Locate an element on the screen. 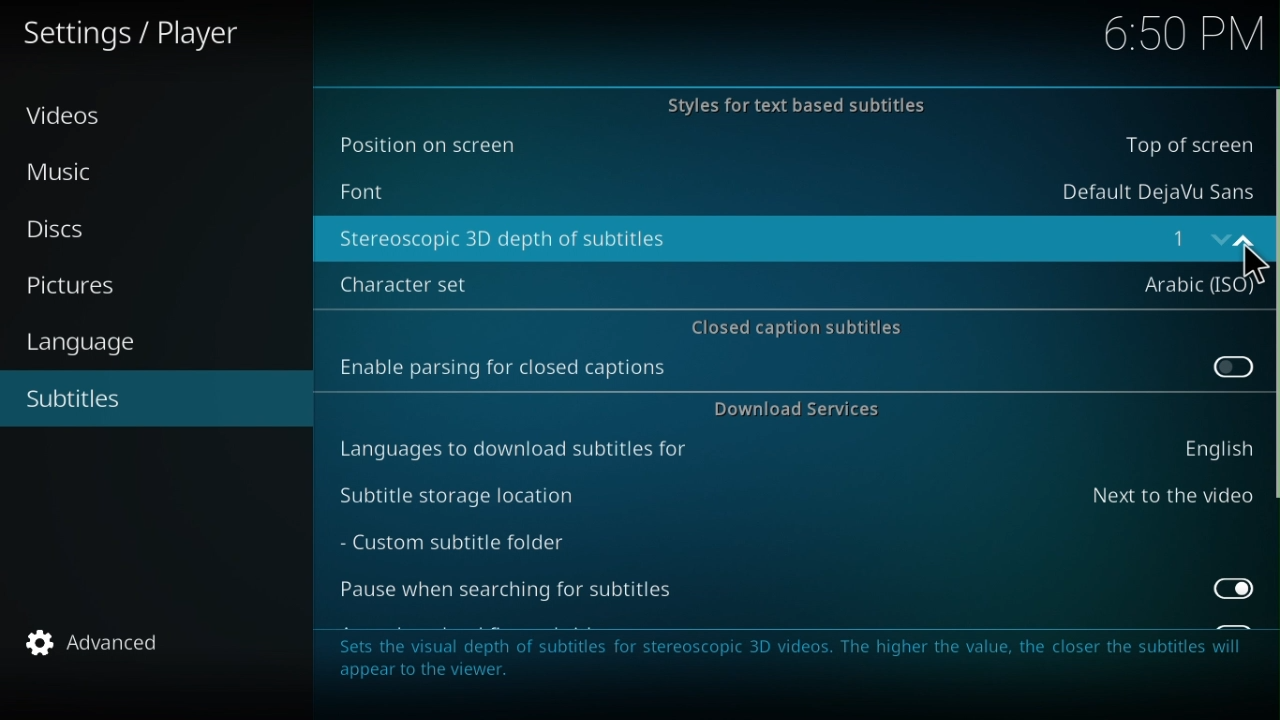  Time is located at coordinates (1179, 33).